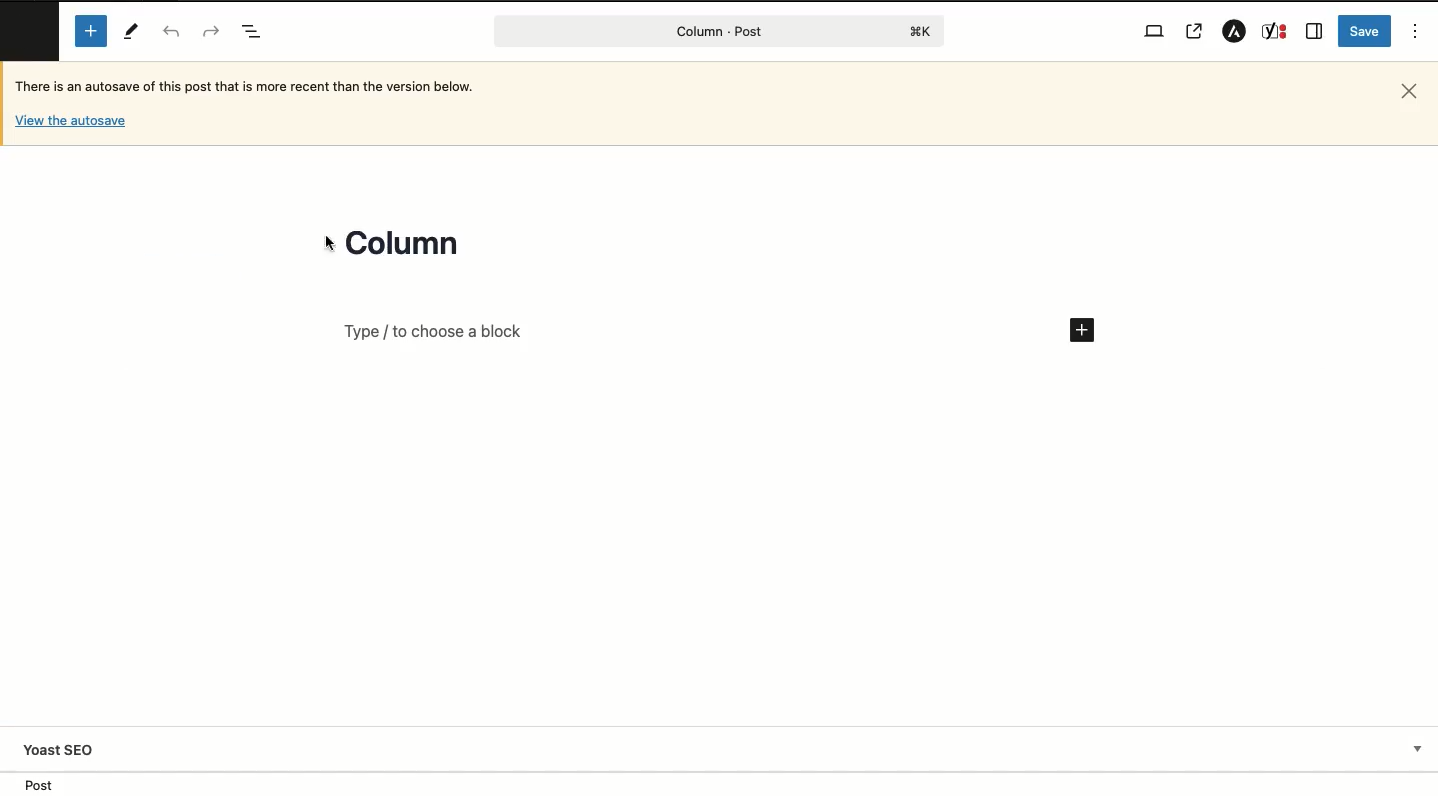  Describe the element at coordinates (405, 243) in the screenshot. I see `Title` at that location.